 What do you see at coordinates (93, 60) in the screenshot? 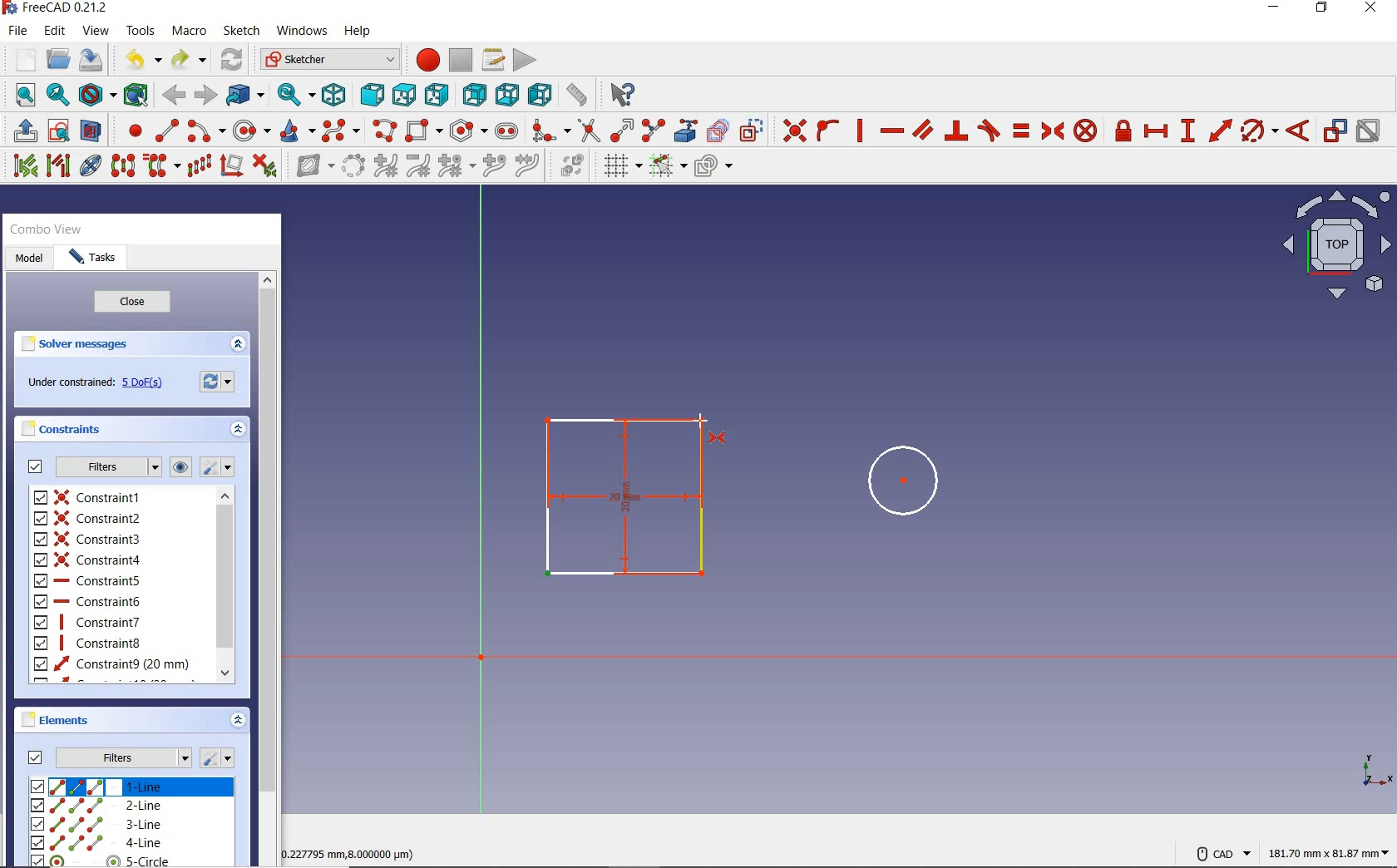
I see `save` at bounding box center [93, 60].